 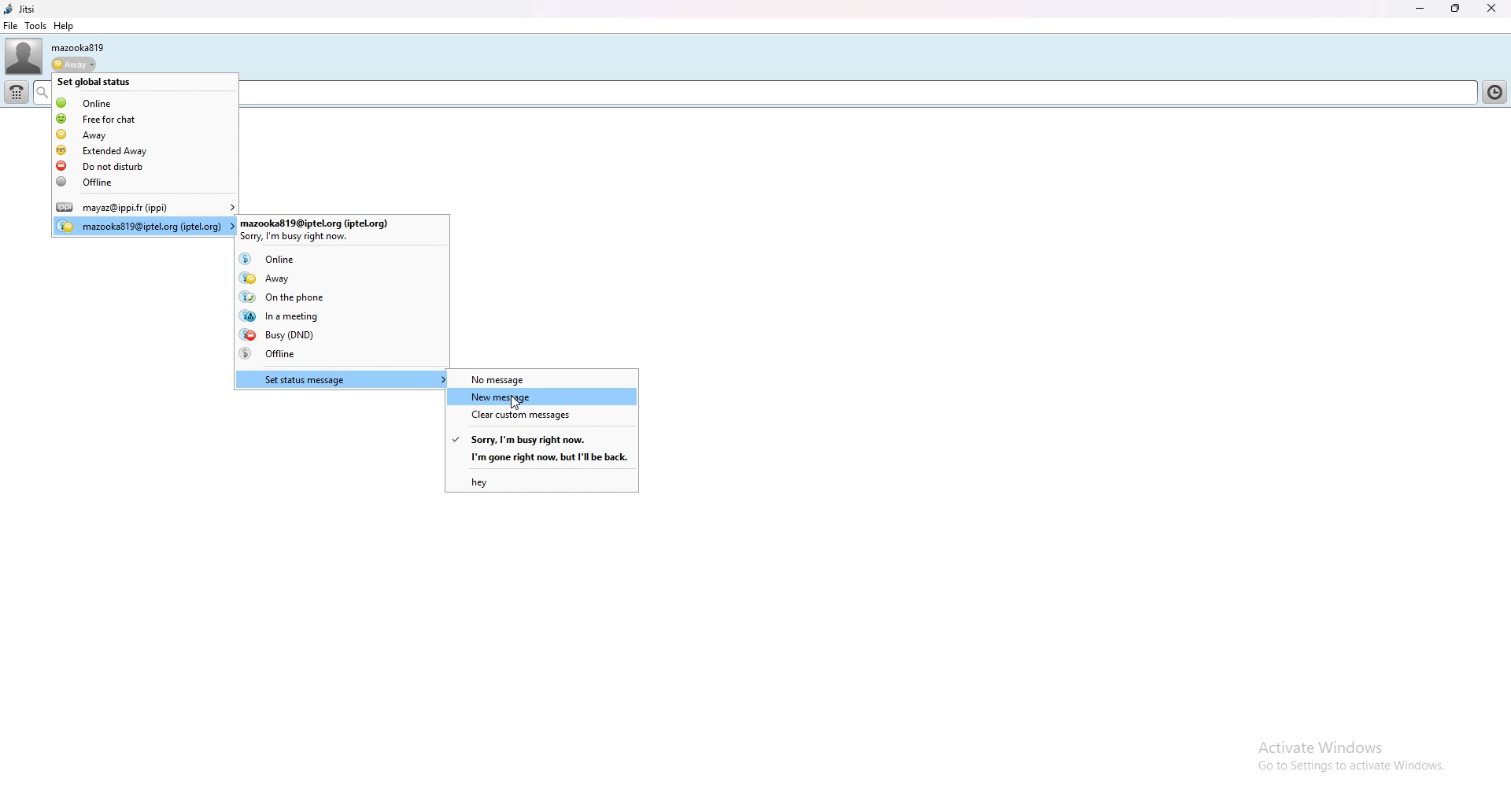 What do you see at coordinates (342, 257) in the screenshot?
I see `online` at bounding box center [342, 257].